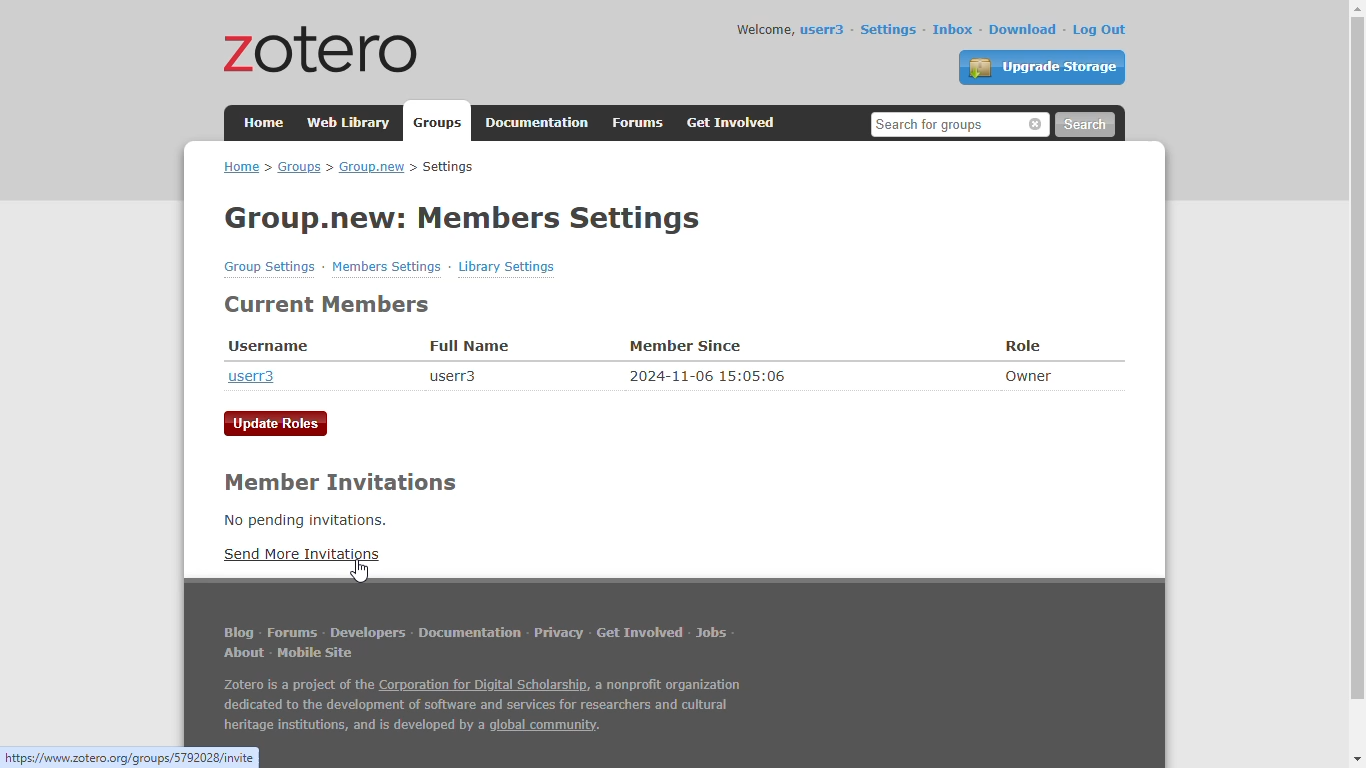 The height and width of the screenshot is (768, 1366). I want to click on Zotero is a project of the Corporation for Digital Scholarship, a nonprofit organization
dedicated to the development of software and services for researchers and cultural
heritage institutions, and is developed by a global community., so click(483, 707).